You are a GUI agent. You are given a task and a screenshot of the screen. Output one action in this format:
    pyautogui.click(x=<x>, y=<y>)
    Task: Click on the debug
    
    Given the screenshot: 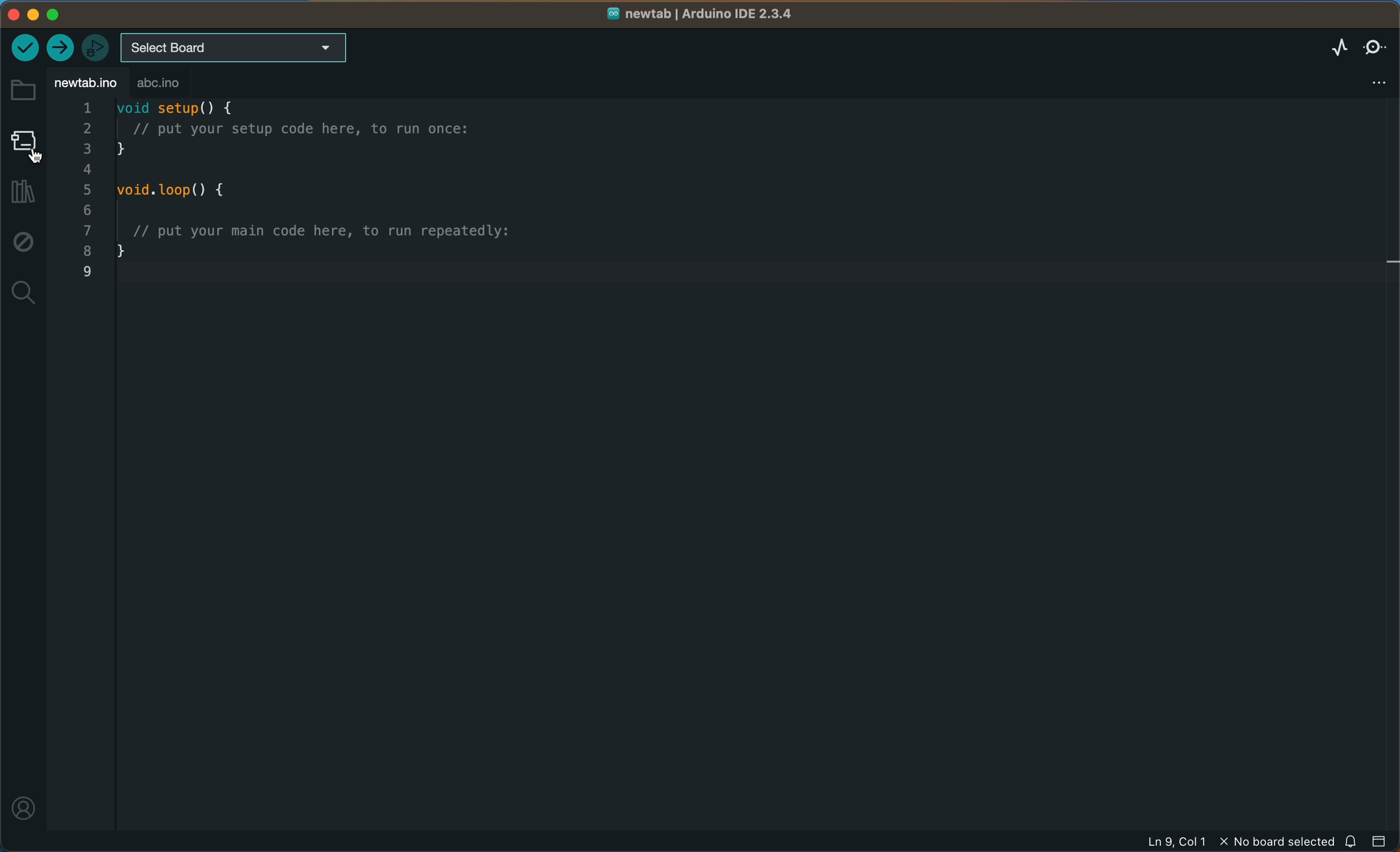 What is the action you would take?
    pyautogui.click(x=23, y=244)
    